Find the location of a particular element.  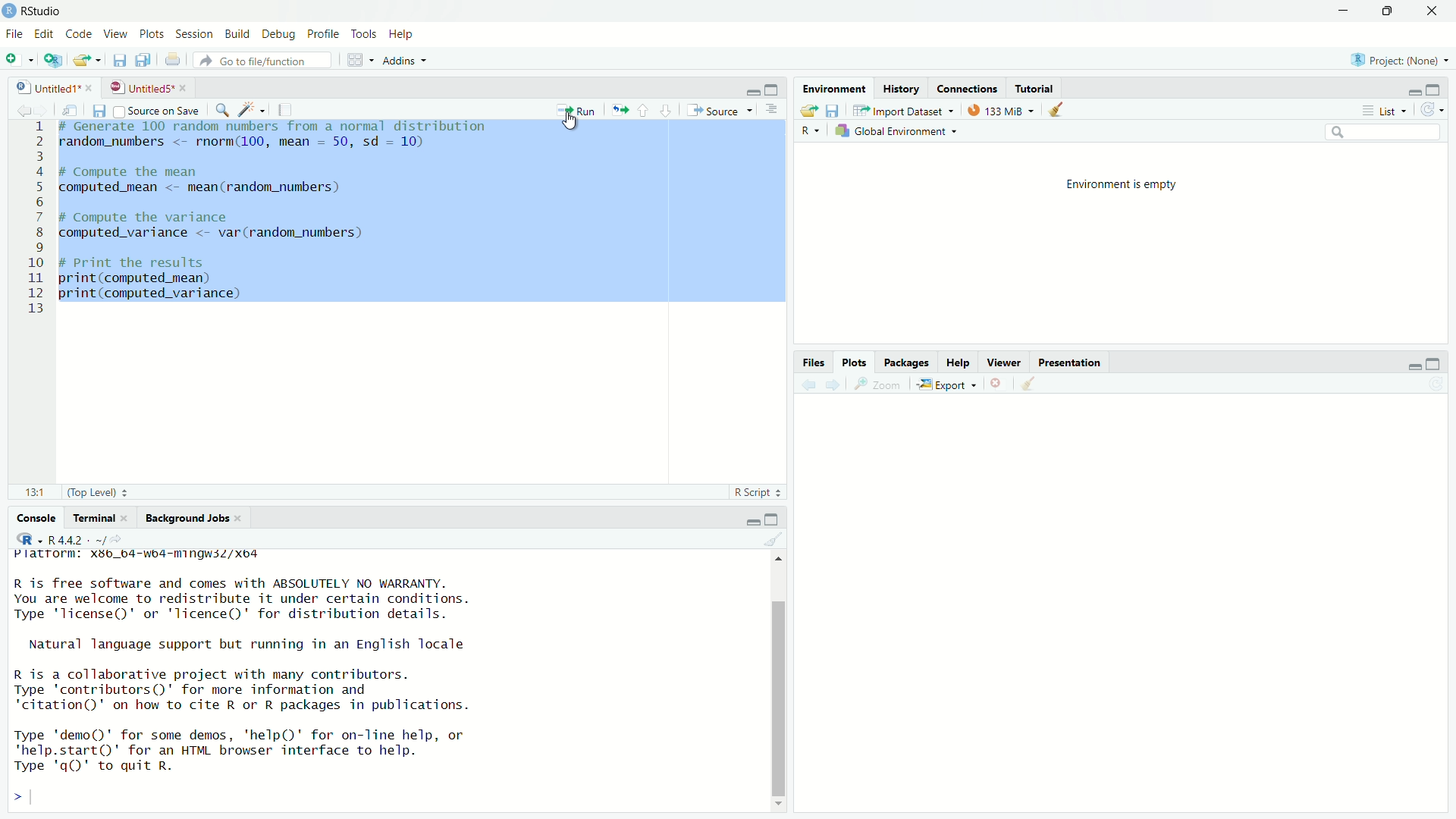

plots is located at coordinates (153, 35).